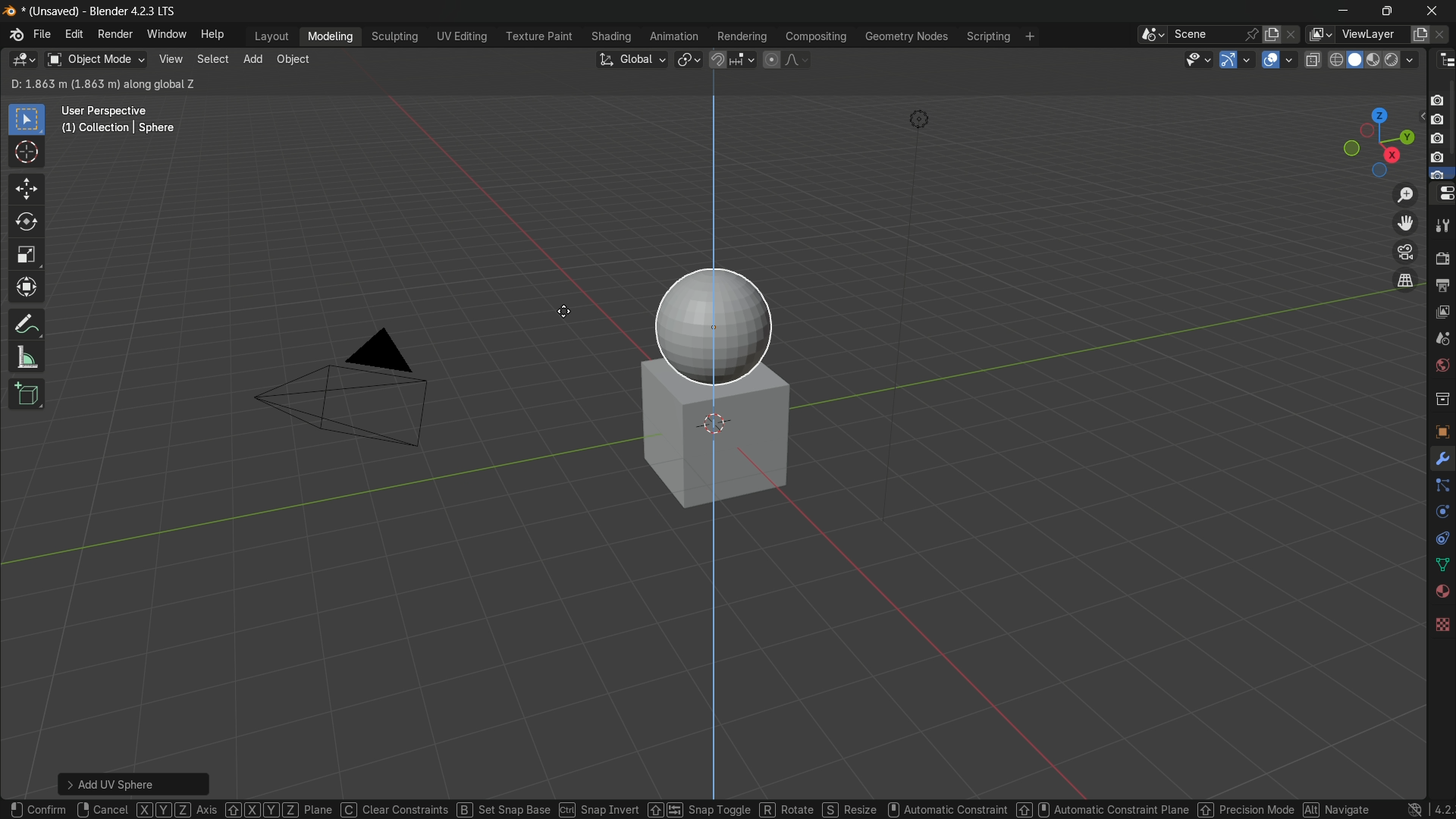 This screenshot has width=1456, height=819. What do you see at coordinates (20, 60) in the screenshot?
I see `3d viewport` at bounding box center [20, 60].